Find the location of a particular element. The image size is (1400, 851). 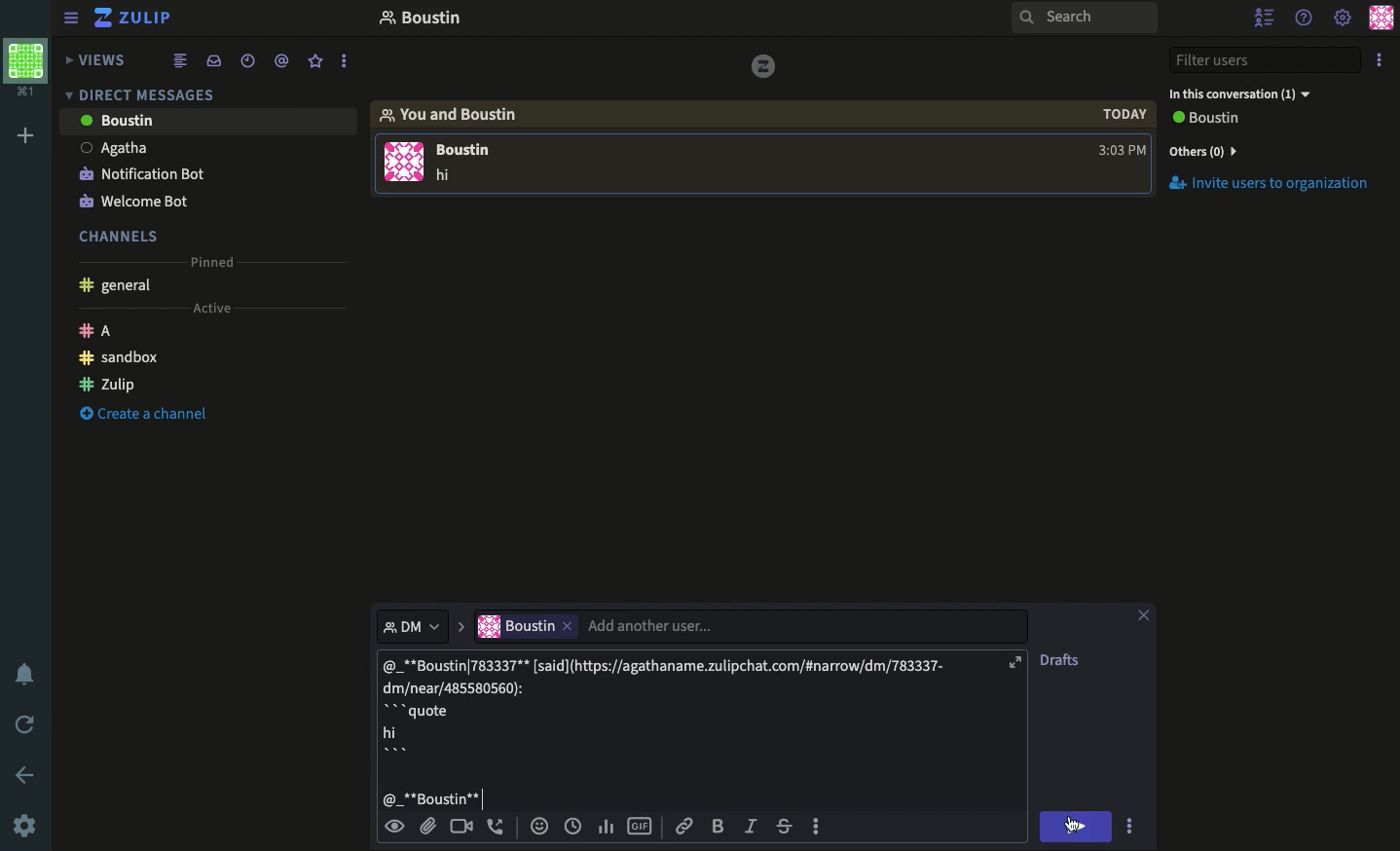

Gif is located at coordinates (641, 827).